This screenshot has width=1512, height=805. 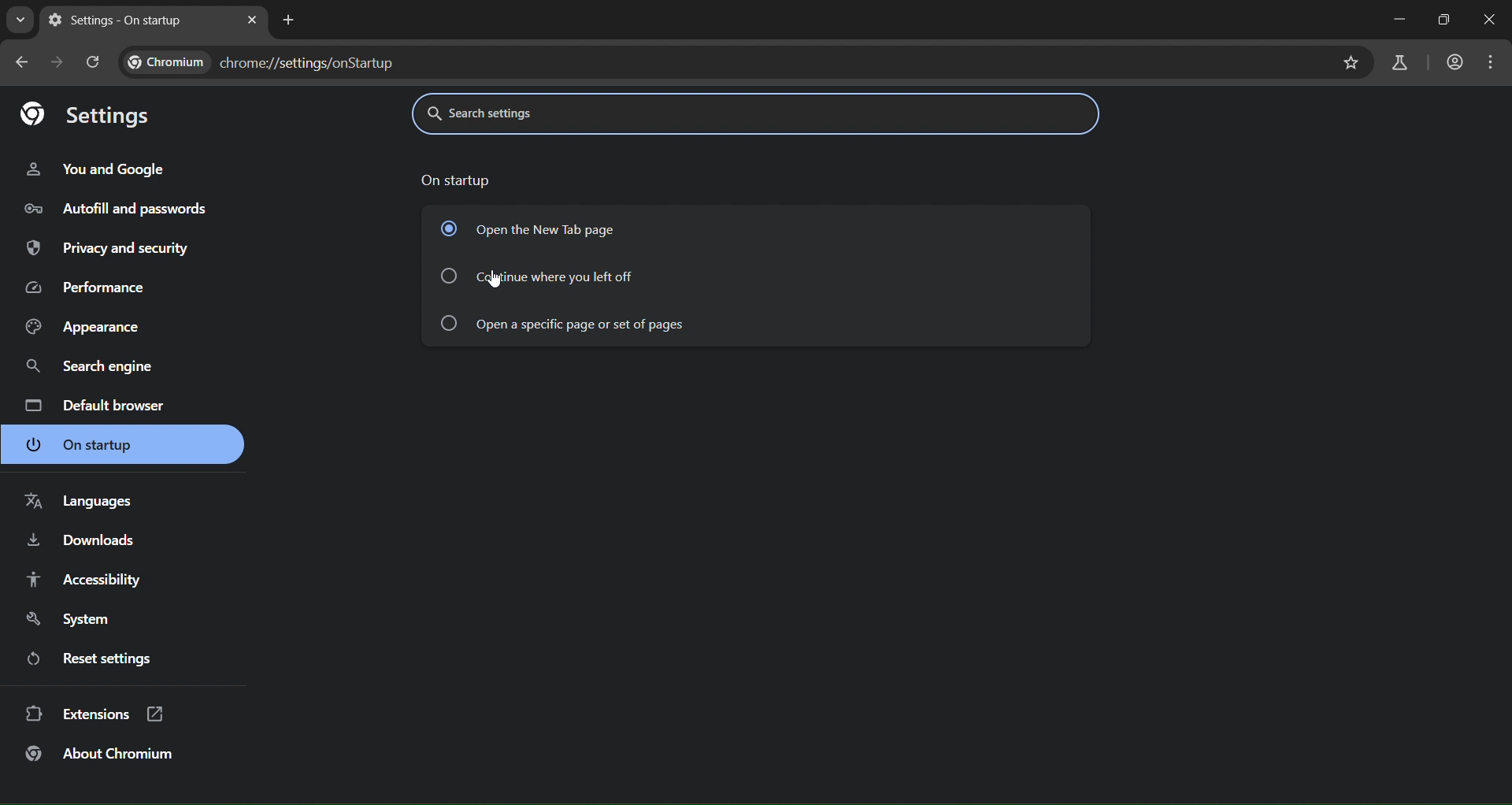 What do you see at coordinates (1454, 61) in the screenshot?
I see `account` at bounding box center [1454, 61].